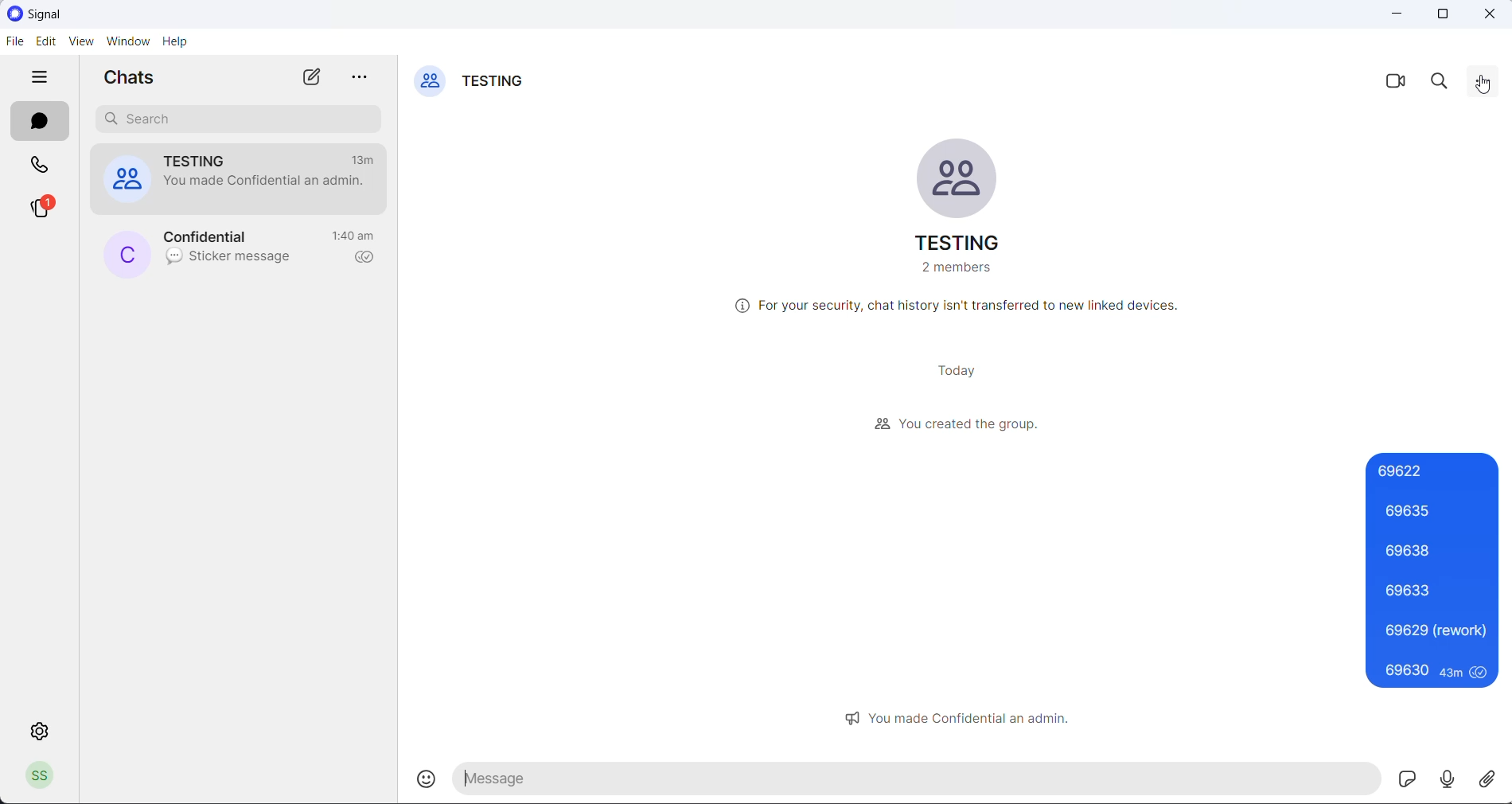 The height and width of the screenshot is (804, 1512). I want to click on group cover photo, so click(430, 84).